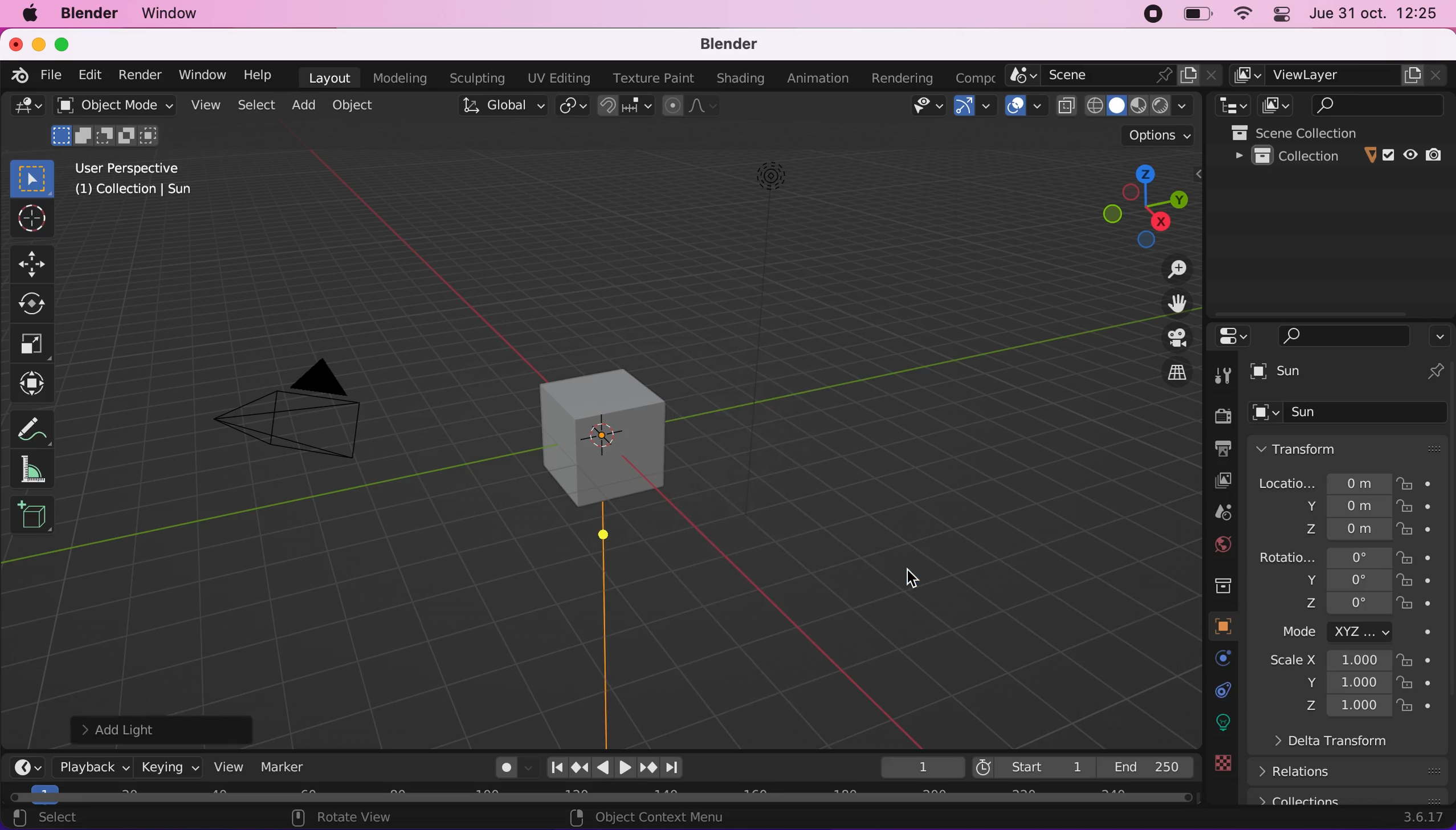 This screenshot has width=1456, height=830. What do you see at coordinates (917, 107) in the screenshot?
I see `view object types` at bounding box center [917, 107].